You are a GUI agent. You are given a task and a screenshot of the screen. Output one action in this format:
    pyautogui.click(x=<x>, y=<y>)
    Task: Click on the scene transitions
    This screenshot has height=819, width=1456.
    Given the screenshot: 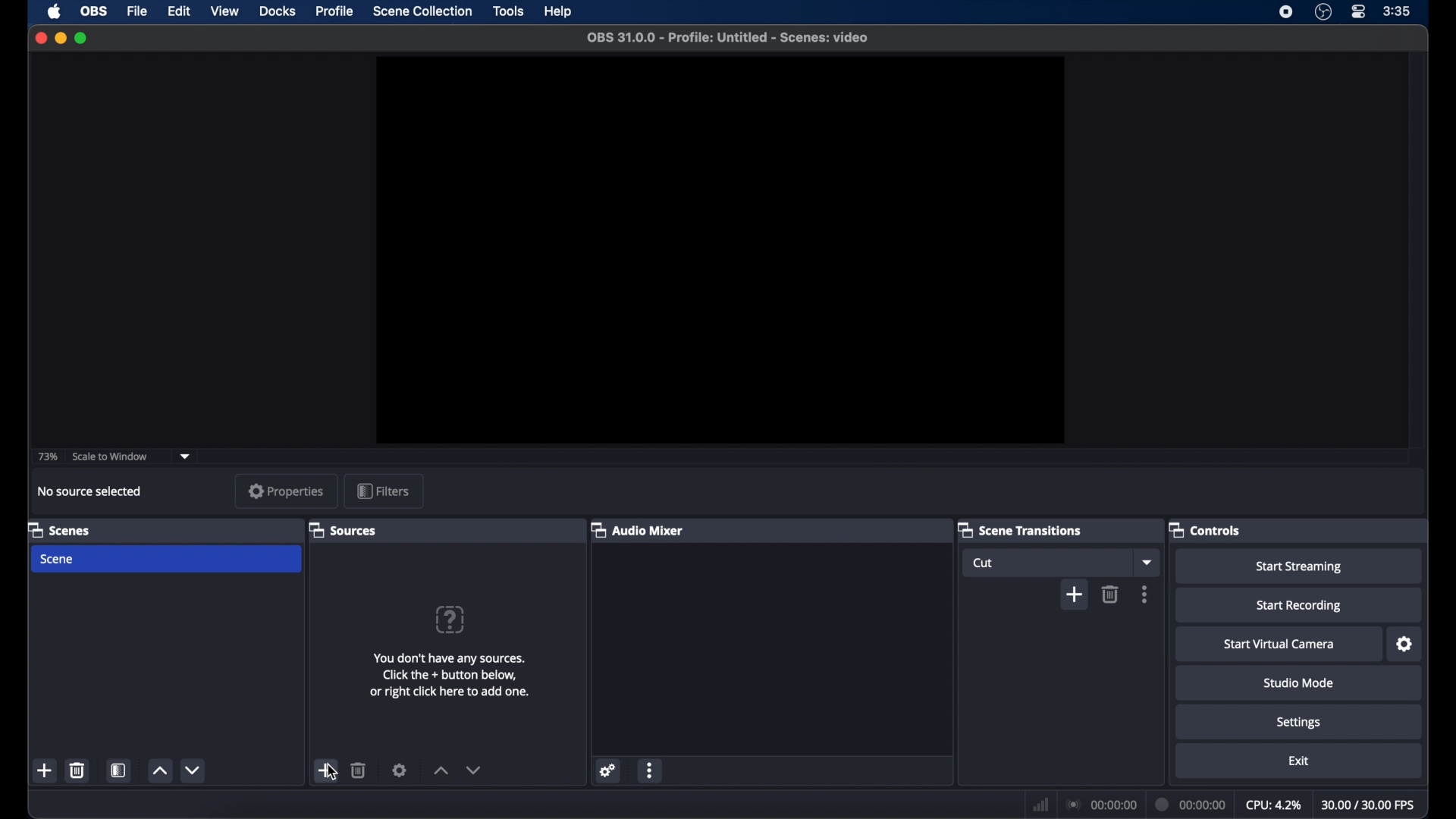 What is the action you would take?
    pyautogui.click(x=1019, y=529)
    